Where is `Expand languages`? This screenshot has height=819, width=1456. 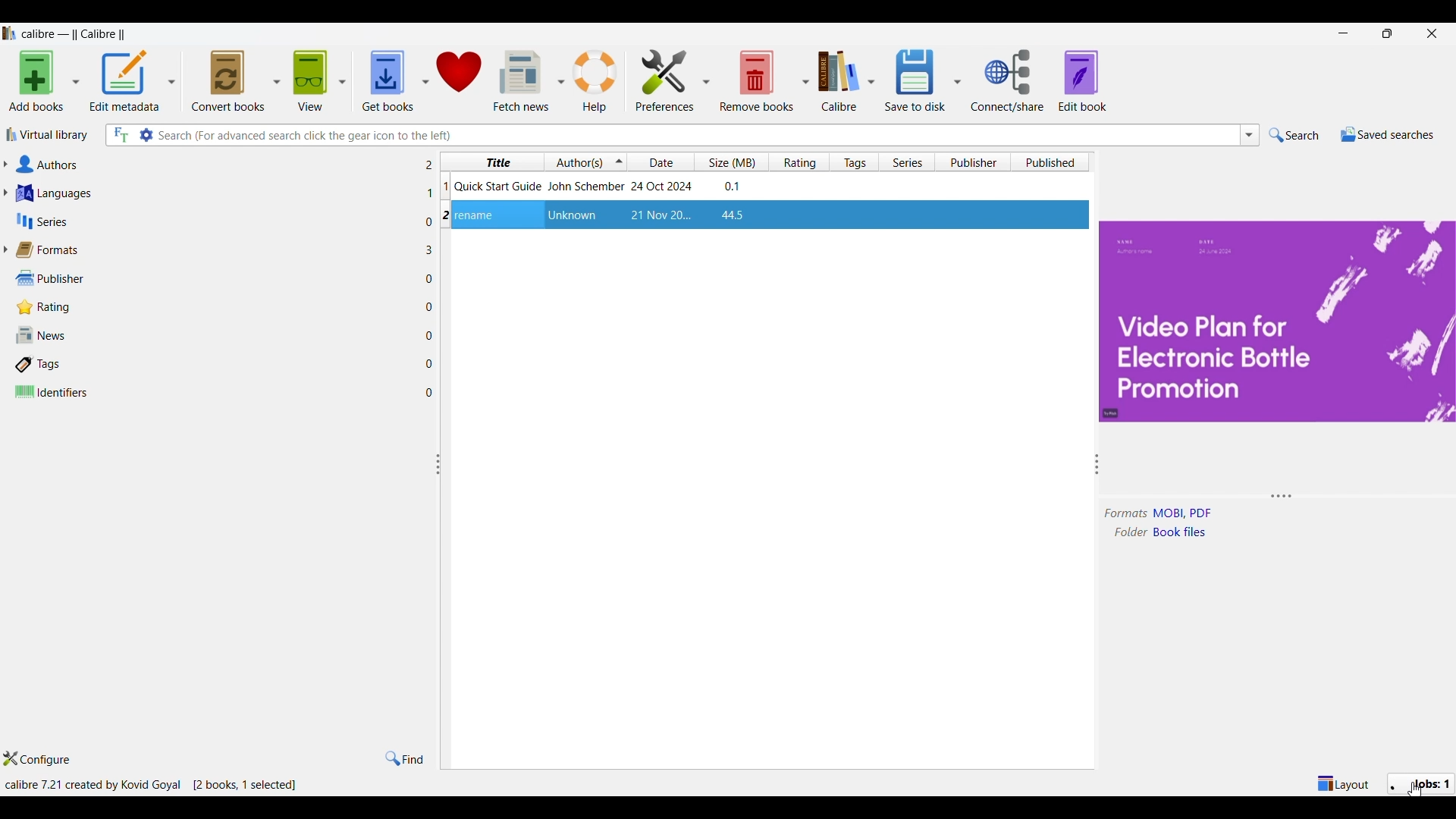
Expand languages is located at coordinates (5, 193).